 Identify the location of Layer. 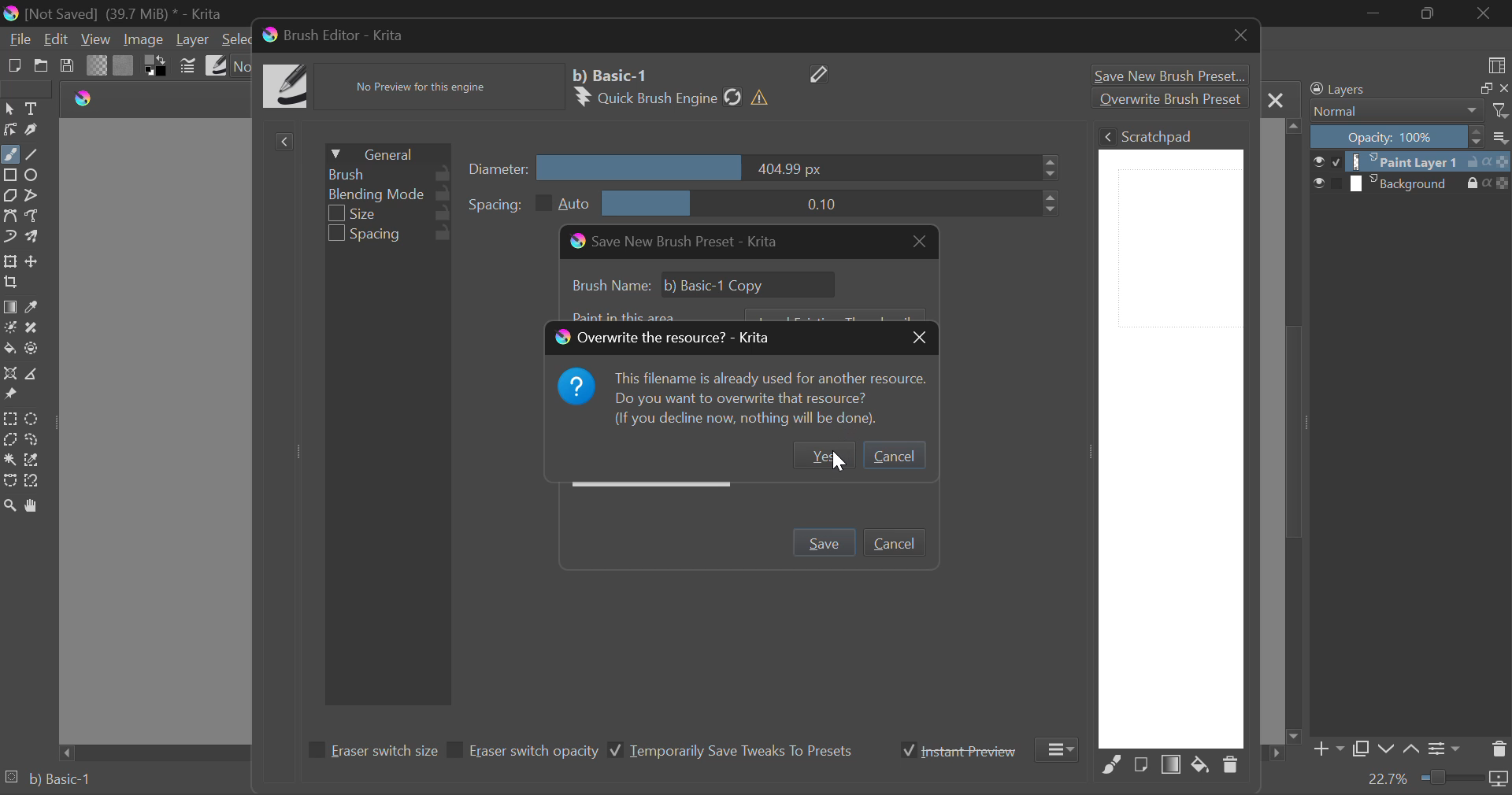
(193, 41).